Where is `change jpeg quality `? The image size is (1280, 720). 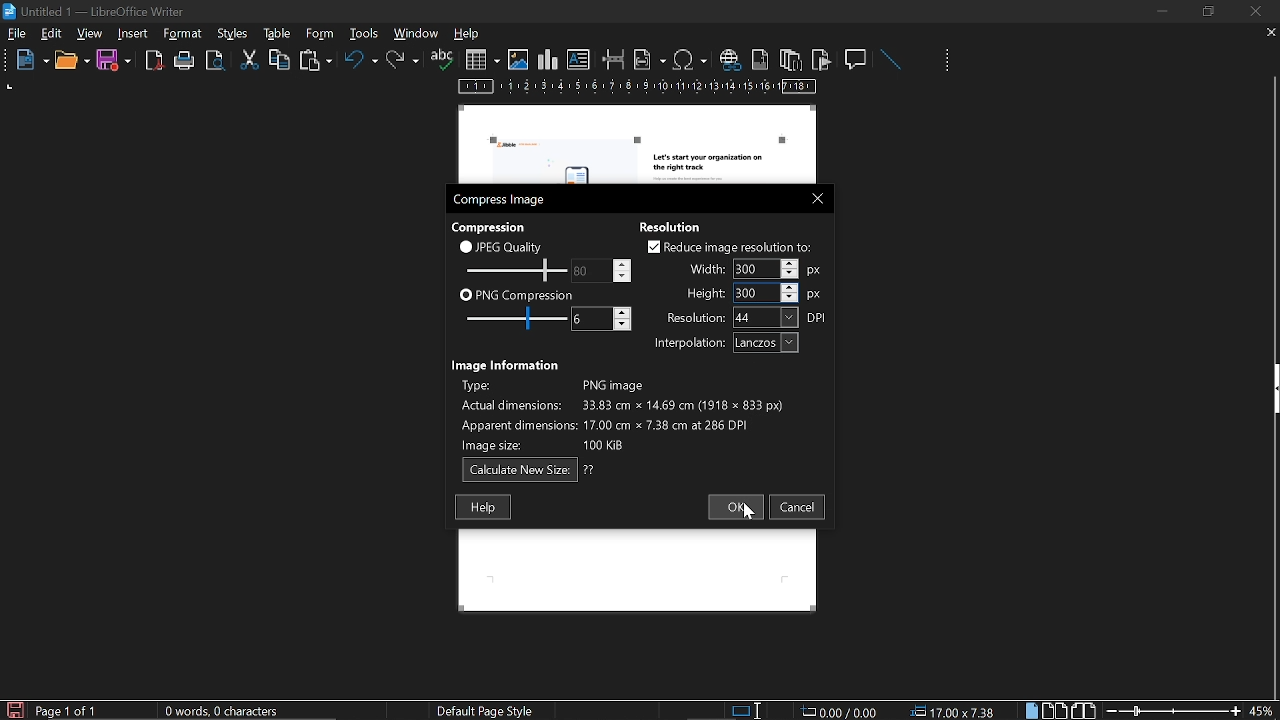 change jpeg quality  is located at coordinates (602, 270).